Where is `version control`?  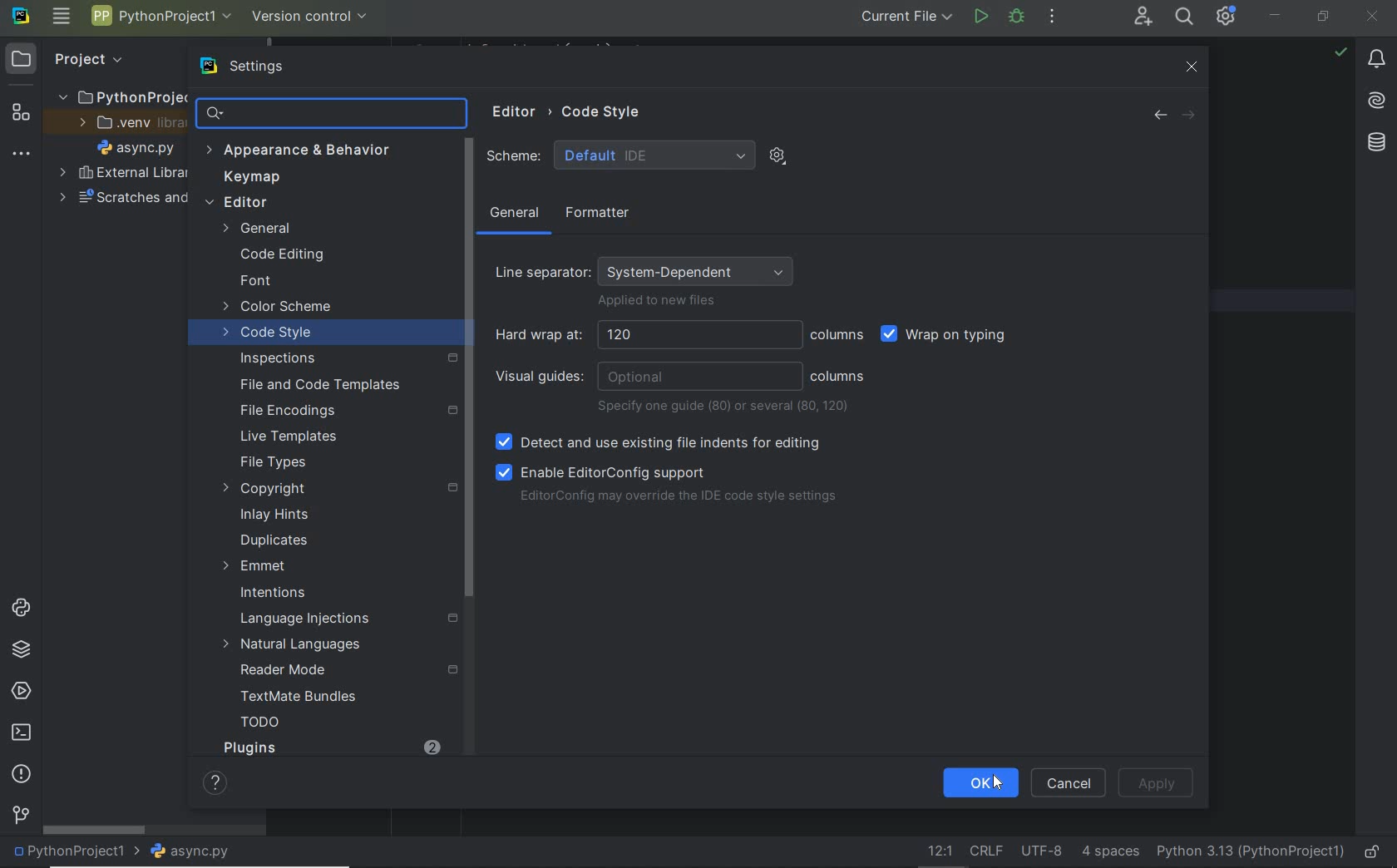 version control is located at coordinates (20, 816).